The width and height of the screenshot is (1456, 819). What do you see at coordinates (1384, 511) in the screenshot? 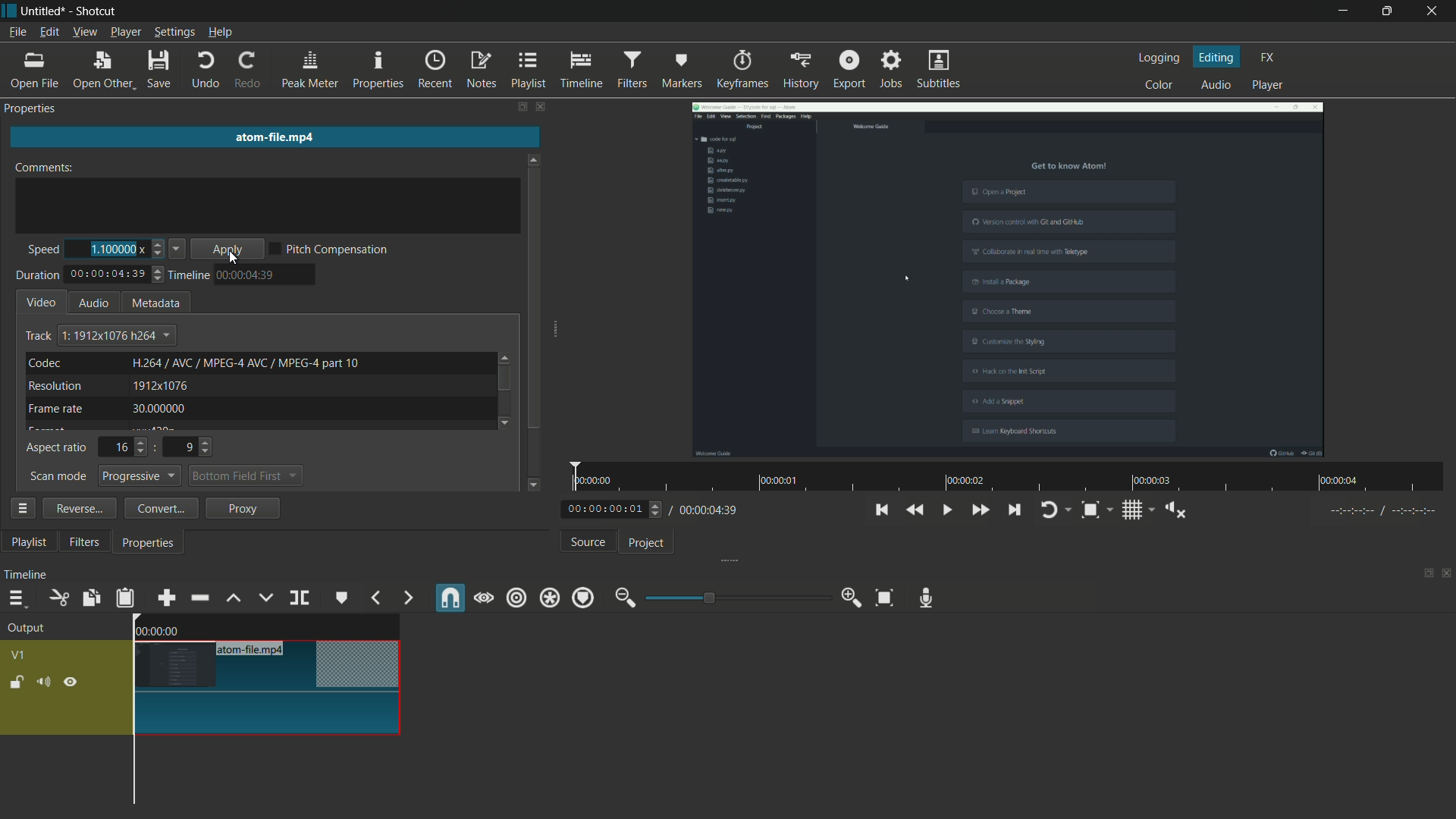
I see `in point` at bounding box center [1384, 511].